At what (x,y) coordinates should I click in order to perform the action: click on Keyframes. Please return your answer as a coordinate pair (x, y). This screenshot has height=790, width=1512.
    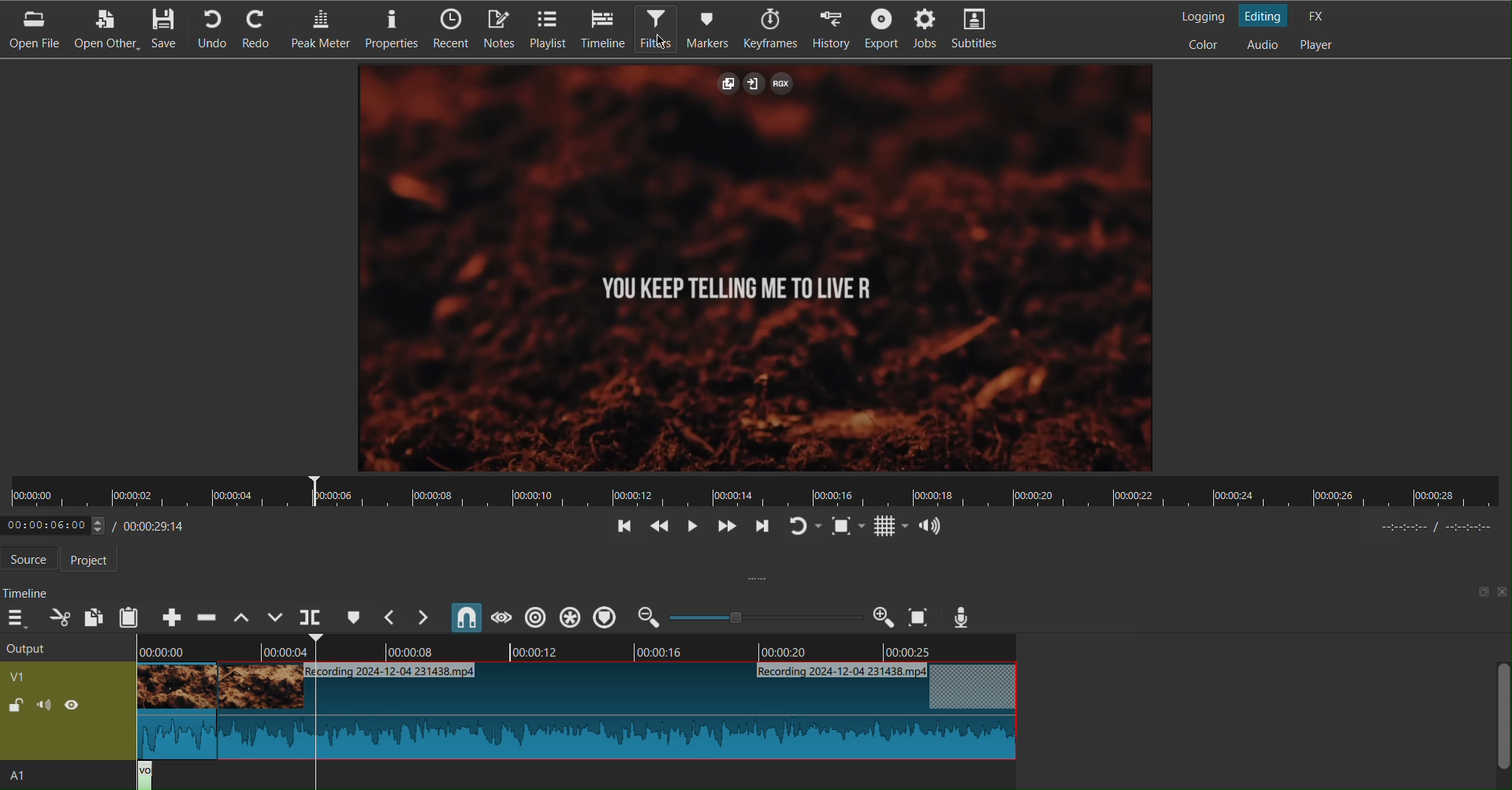
    Looking at the image, I should click on (773, 29).